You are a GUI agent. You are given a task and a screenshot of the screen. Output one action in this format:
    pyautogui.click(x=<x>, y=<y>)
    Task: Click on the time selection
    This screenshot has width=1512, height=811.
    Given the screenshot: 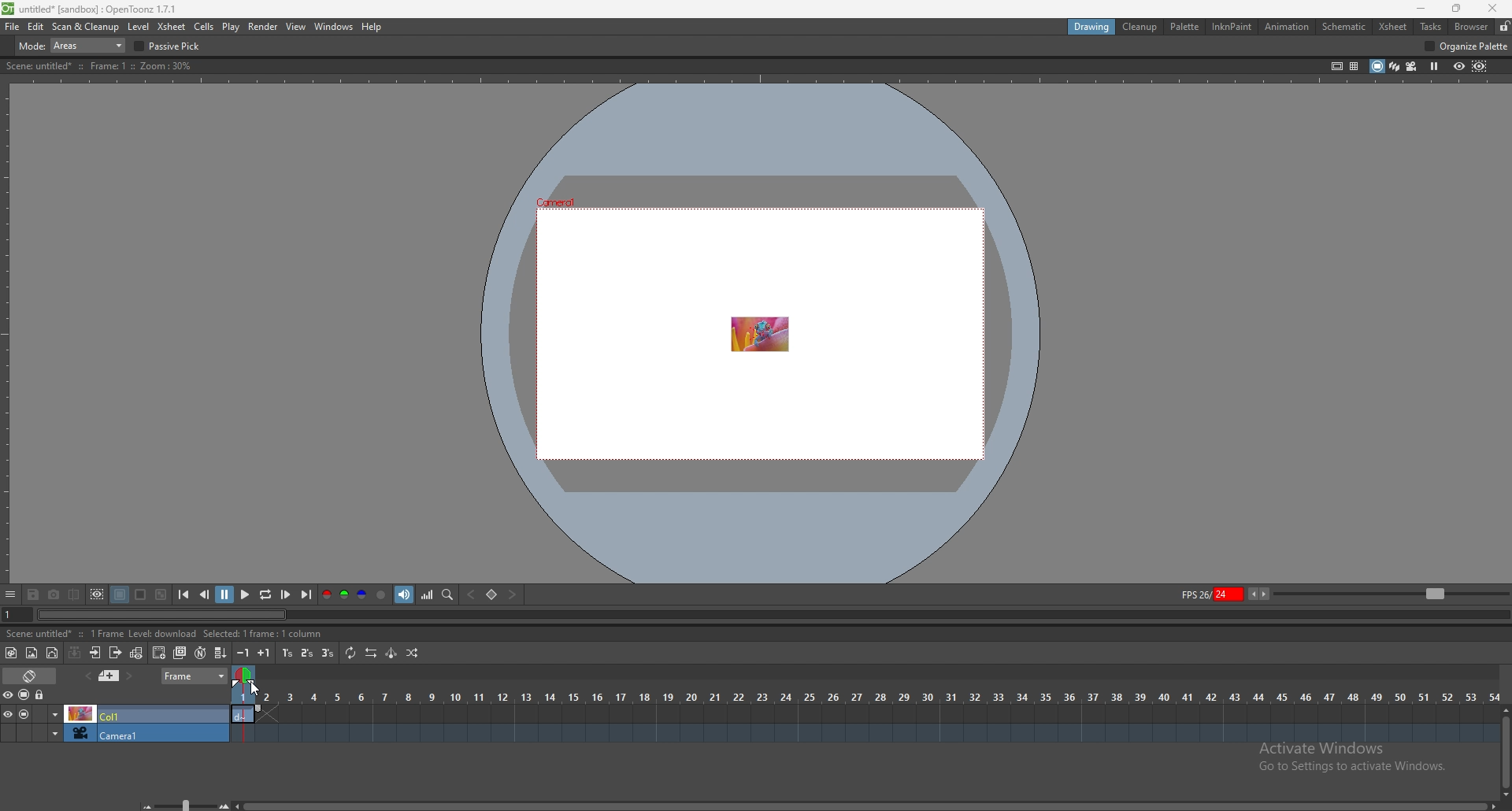 What is the action you would take?
    pyautogui.click(x=243, y=675)
    